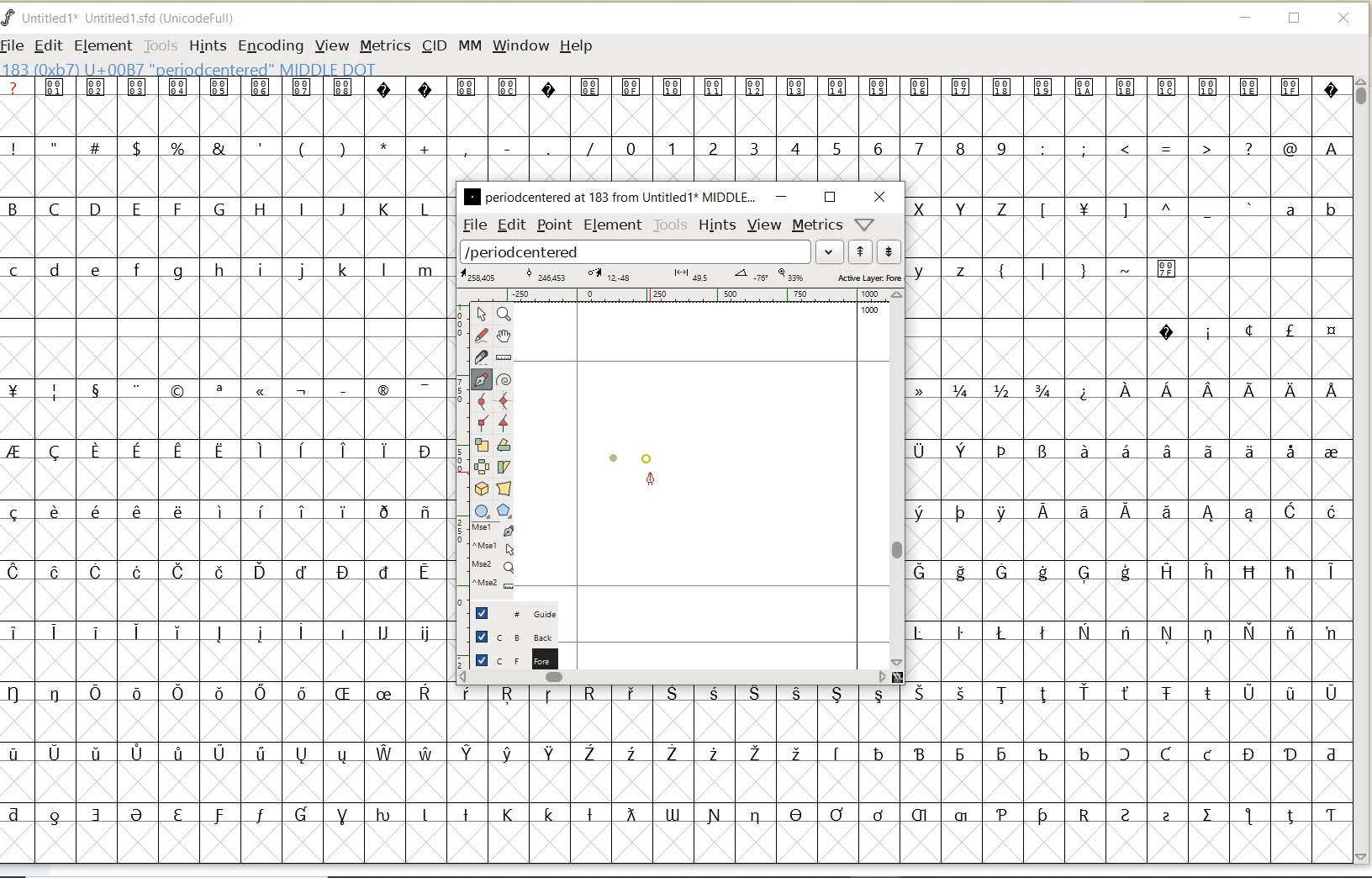 Image resolution: width=1372 pixels, height=878 pixels. What do you see at coordinates (434, 48) in the screenshot?
I see `CID` at bounding box center [434, 48].